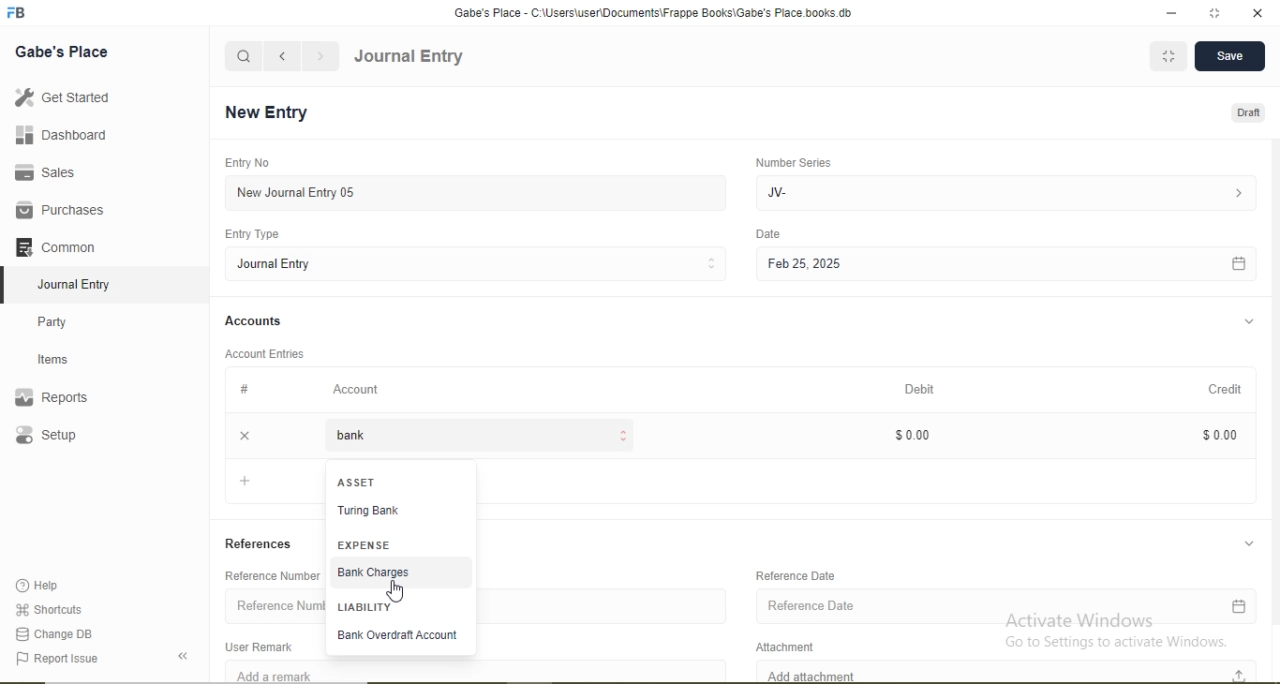 The width and height of the screenshot is (1280, 684). What do you see at coordinates (51, 608) in the screenshot?
I see `‘Shortcuts` at bounding box center [51, 608].